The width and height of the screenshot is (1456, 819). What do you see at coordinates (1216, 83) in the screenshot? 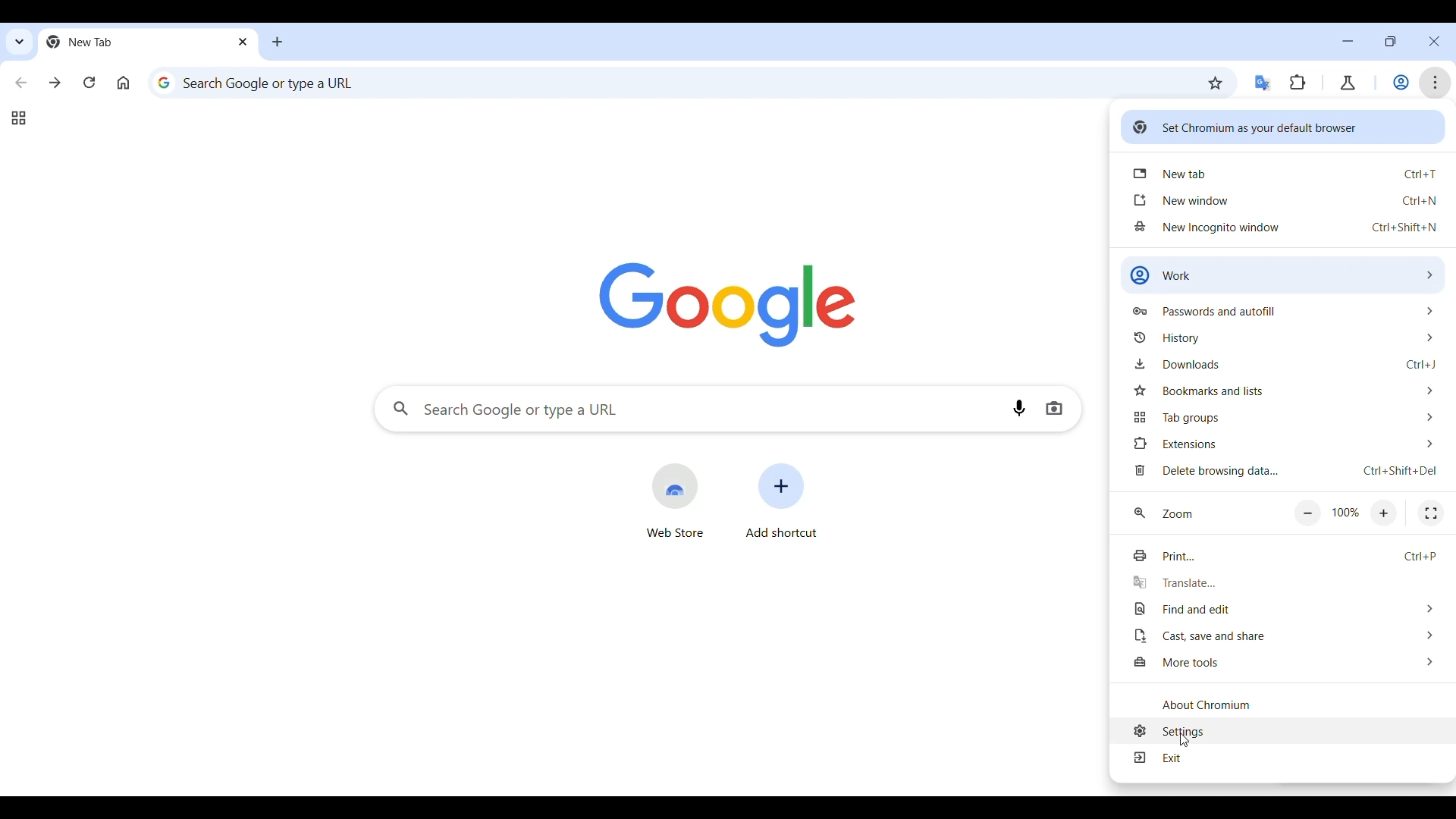
I see `Bookmark this tab` at bounding box center [1216, 83].